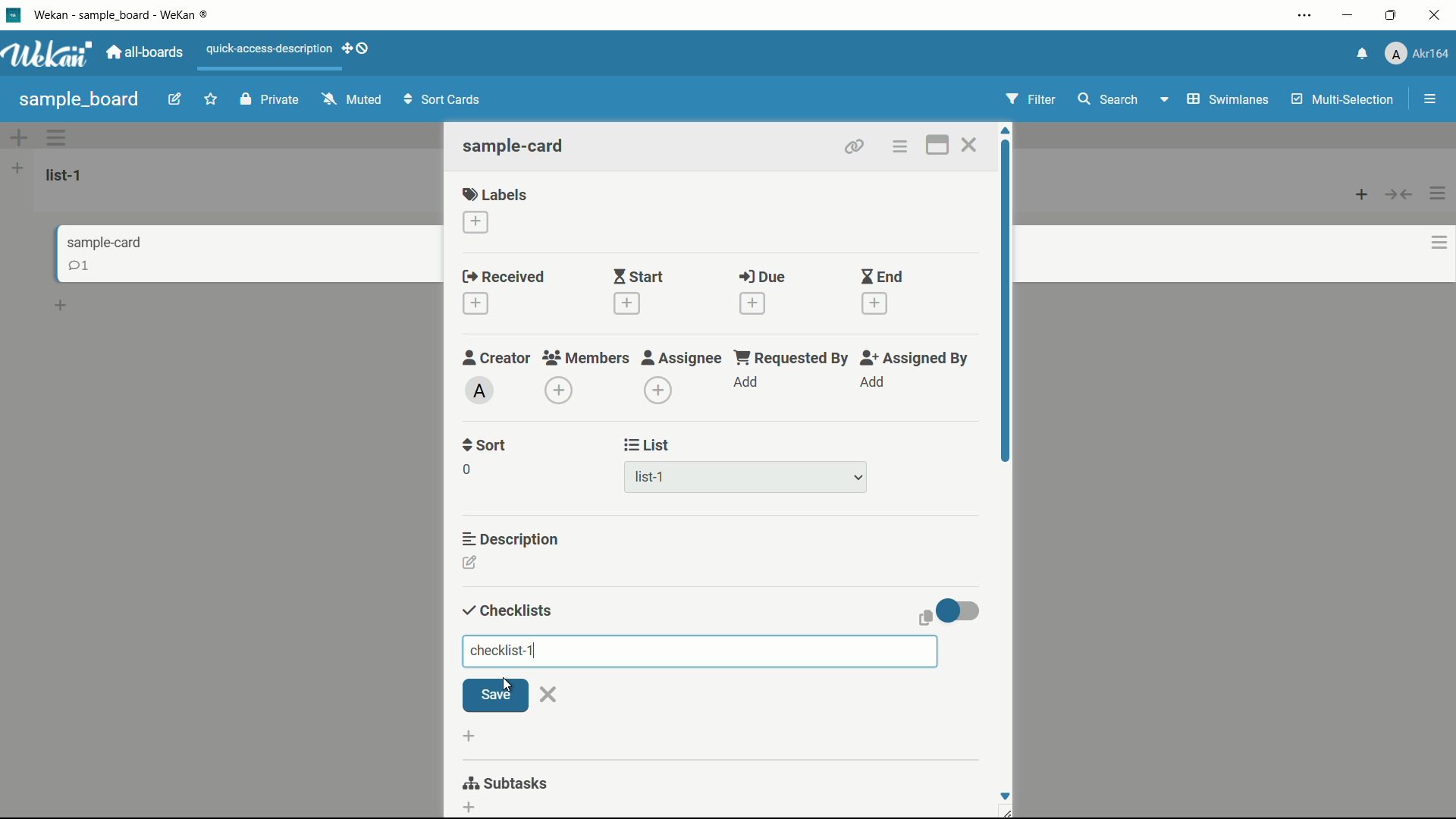  What do you see at coordinates (1433, 240) in the screenshot?
I see `options` at bounding box center [1433, 240].